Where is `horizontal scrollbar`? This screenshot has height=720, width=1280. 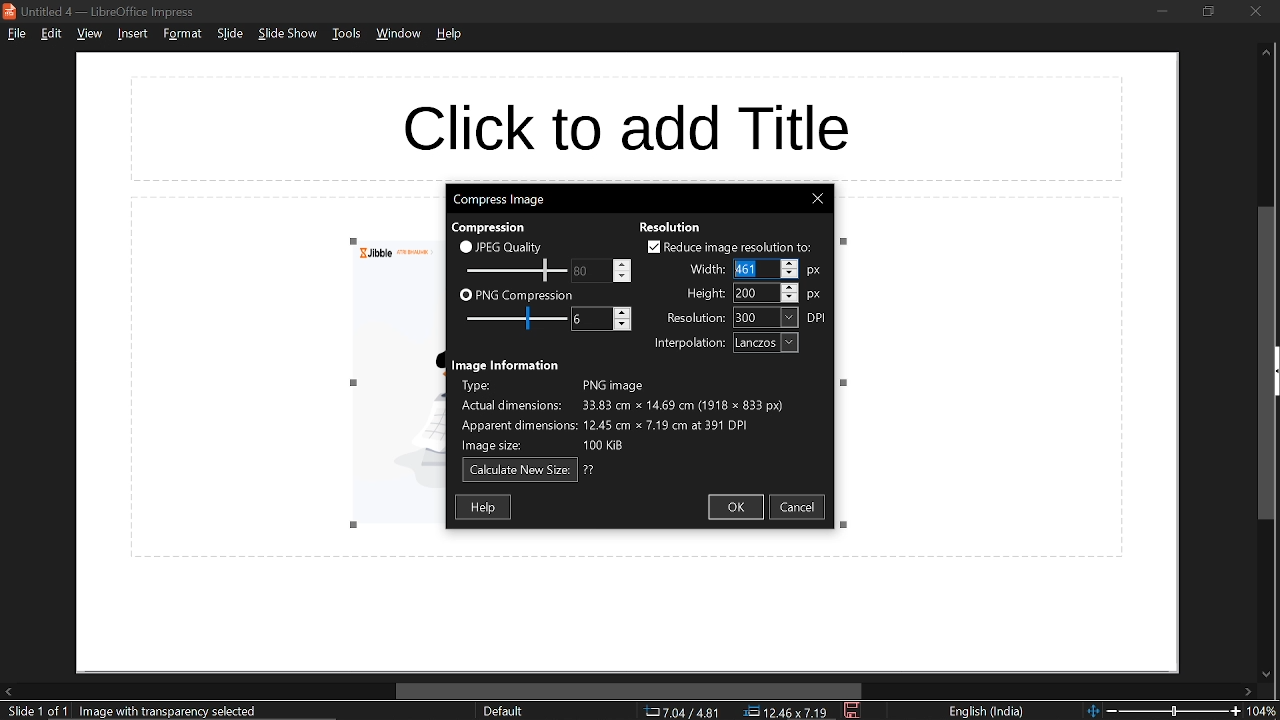 horizontal scrollbar is located at coordinates (625, 690).